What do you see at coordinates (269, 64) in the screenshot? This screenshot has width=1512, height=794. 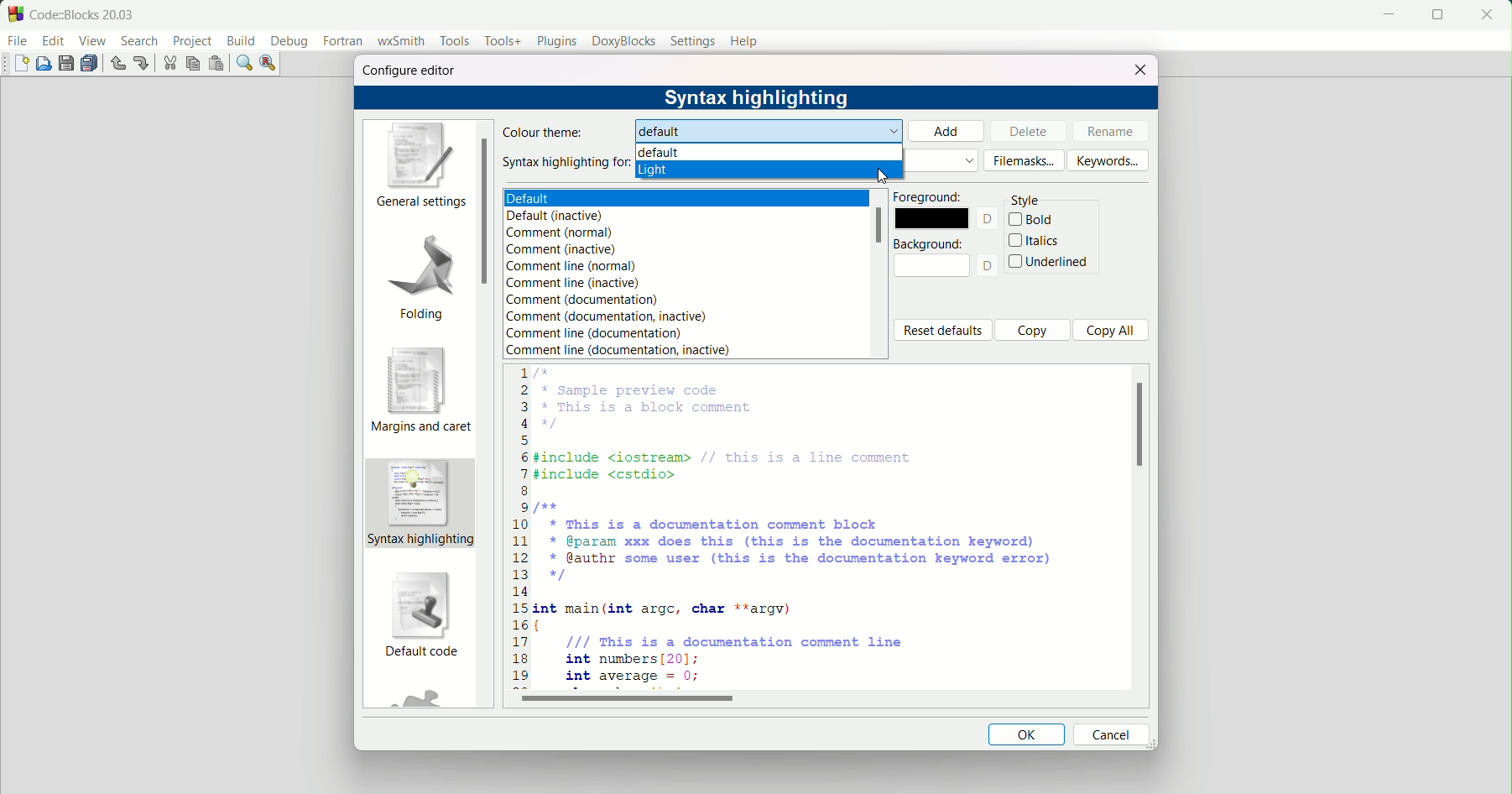 I see `find and replace` at bounding box center [269, 64].